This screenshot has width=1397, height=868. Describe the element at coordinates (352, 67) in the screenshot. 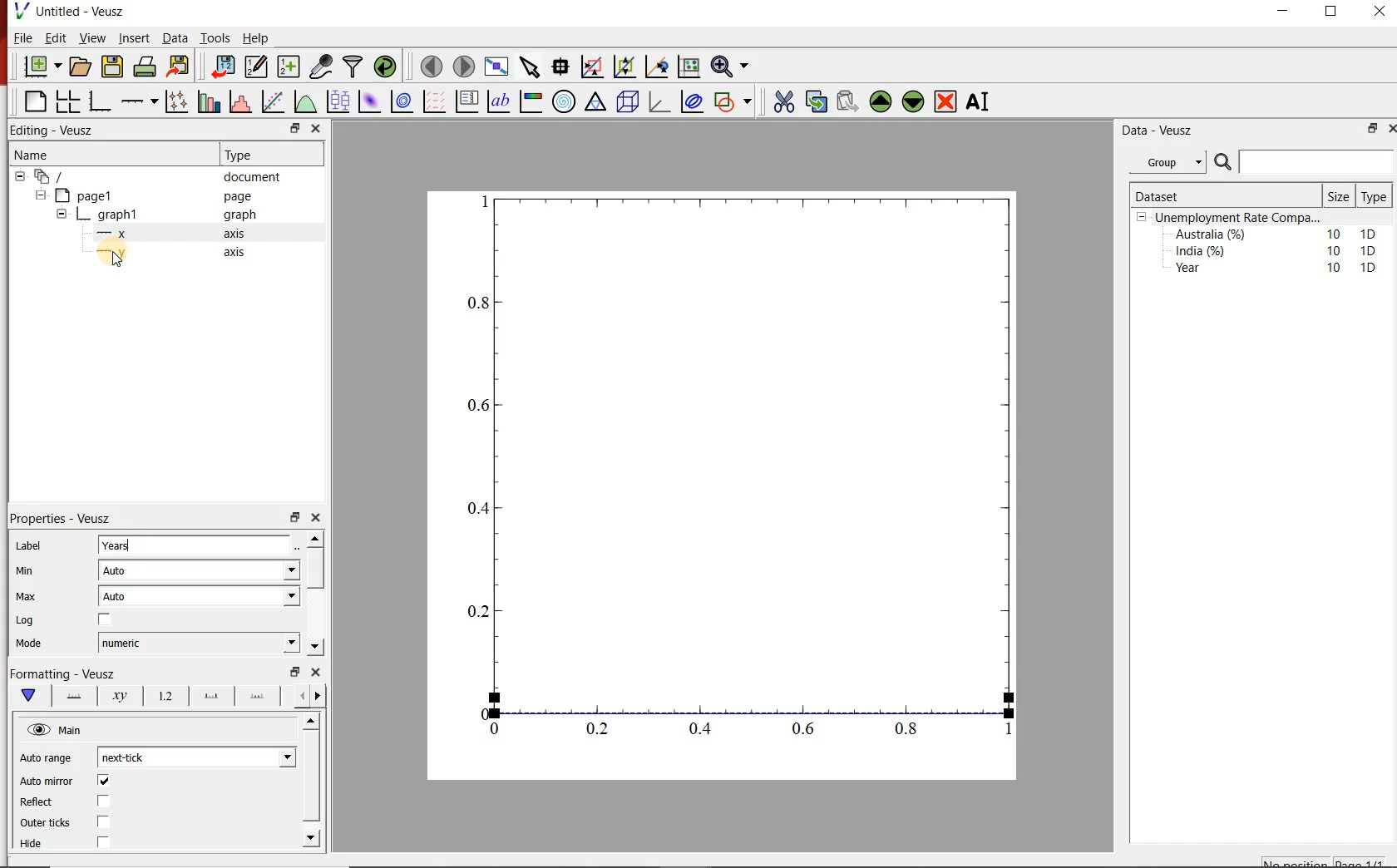

I see `filter data` at that location.